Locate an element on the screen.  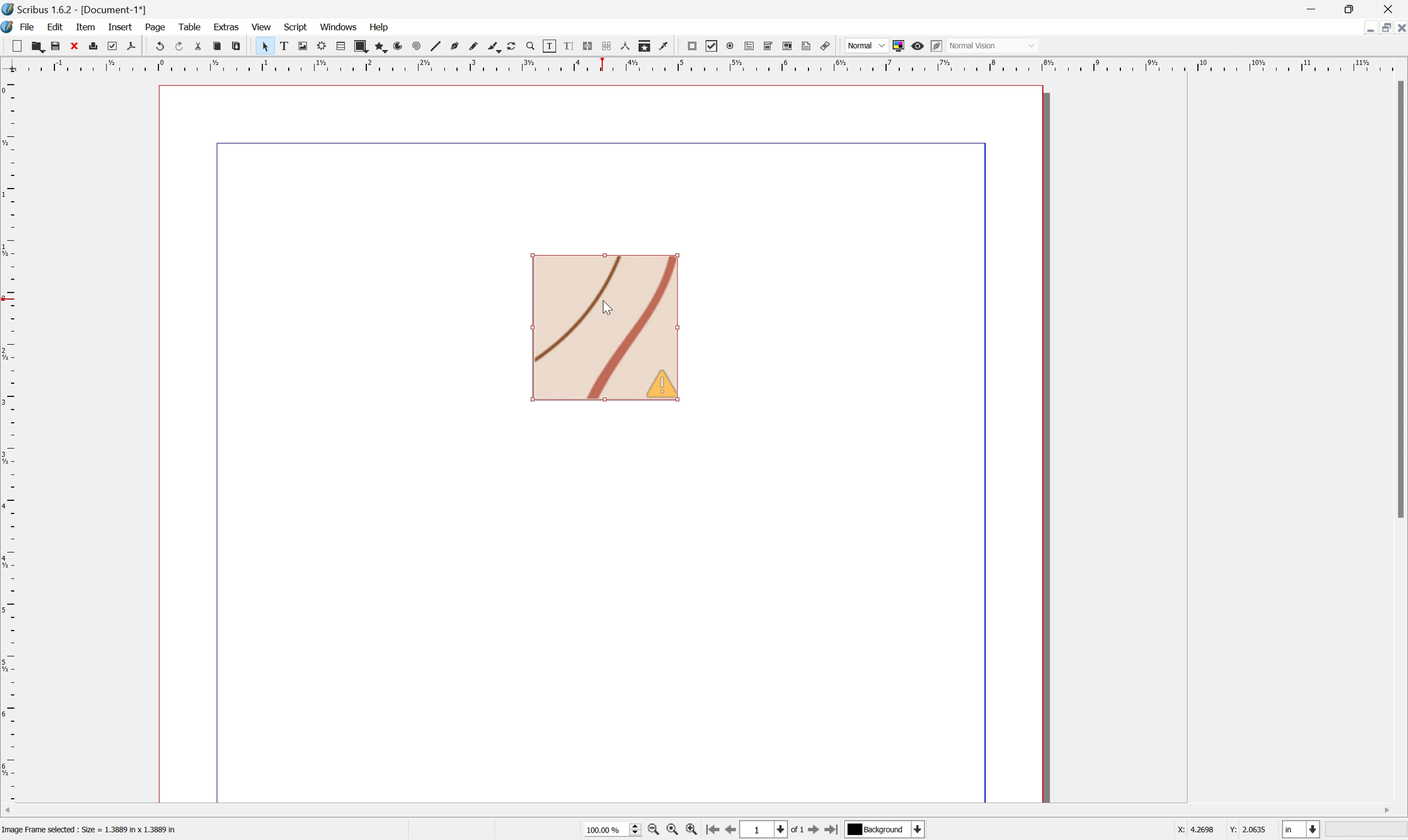
Insert is located at coordinates (119, 27).